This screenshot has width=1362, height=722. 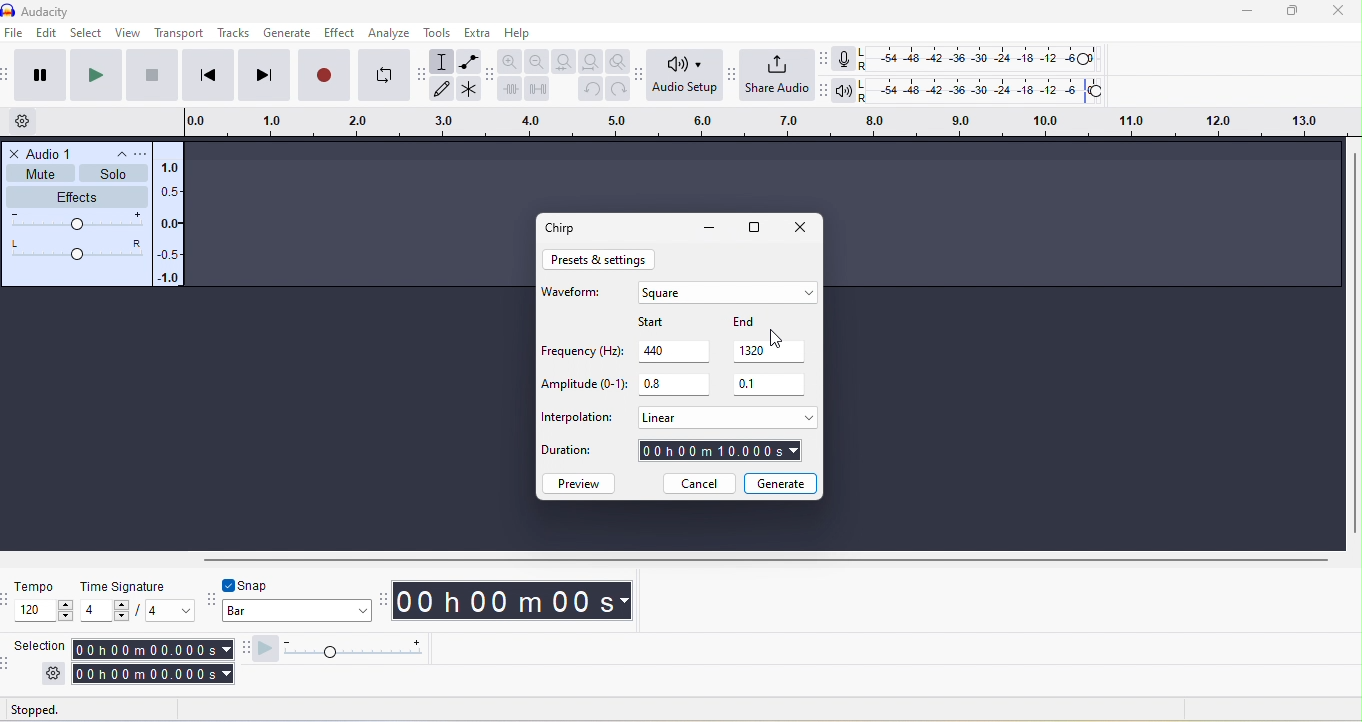 I want to click on 00 h 00 m 00.000 s, so click(x=151, y=662).